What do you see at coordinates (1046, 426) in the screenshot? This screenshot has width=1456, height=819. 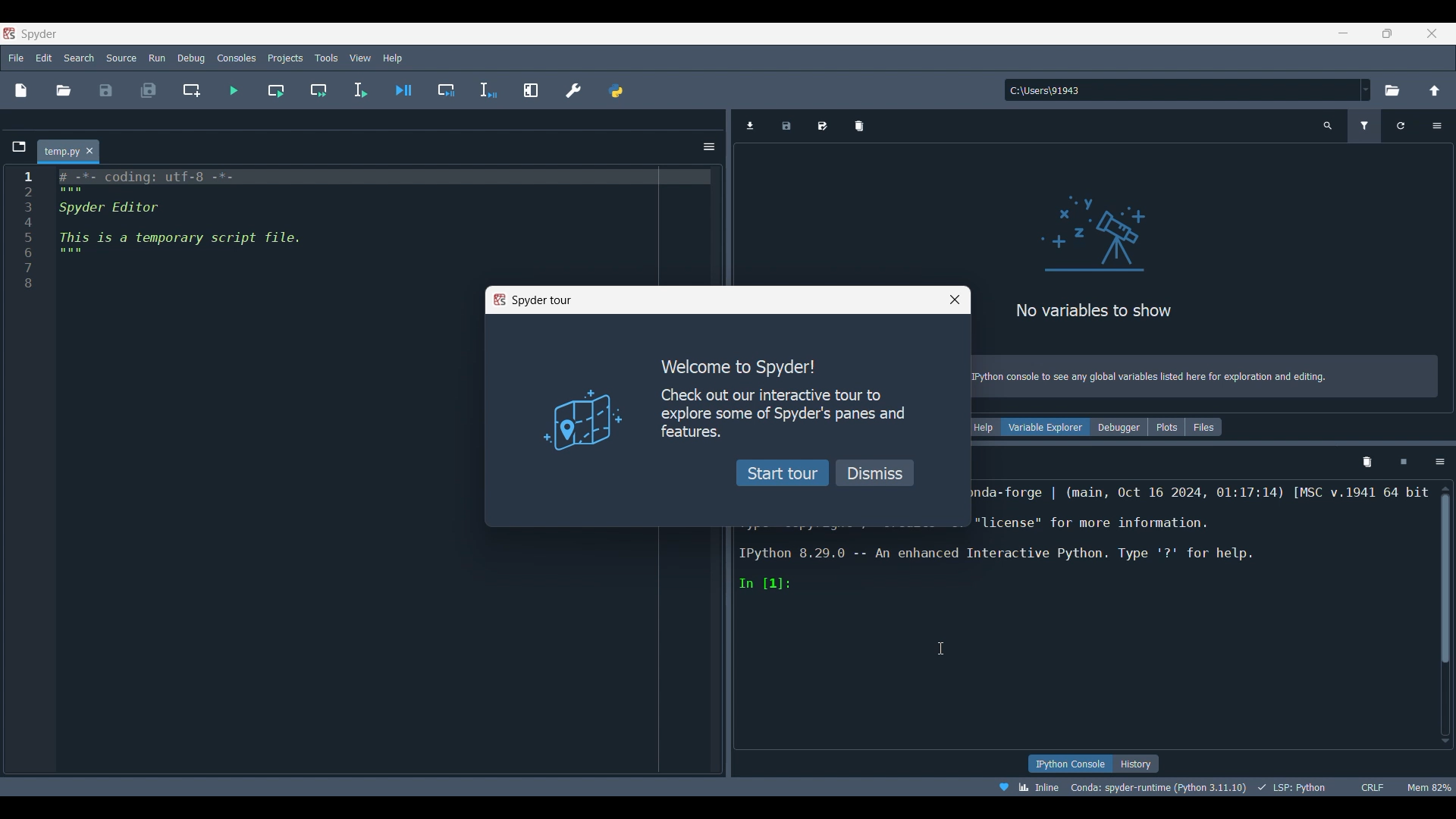 I see `Variable Explorer` at bounding box center [1046, 426].